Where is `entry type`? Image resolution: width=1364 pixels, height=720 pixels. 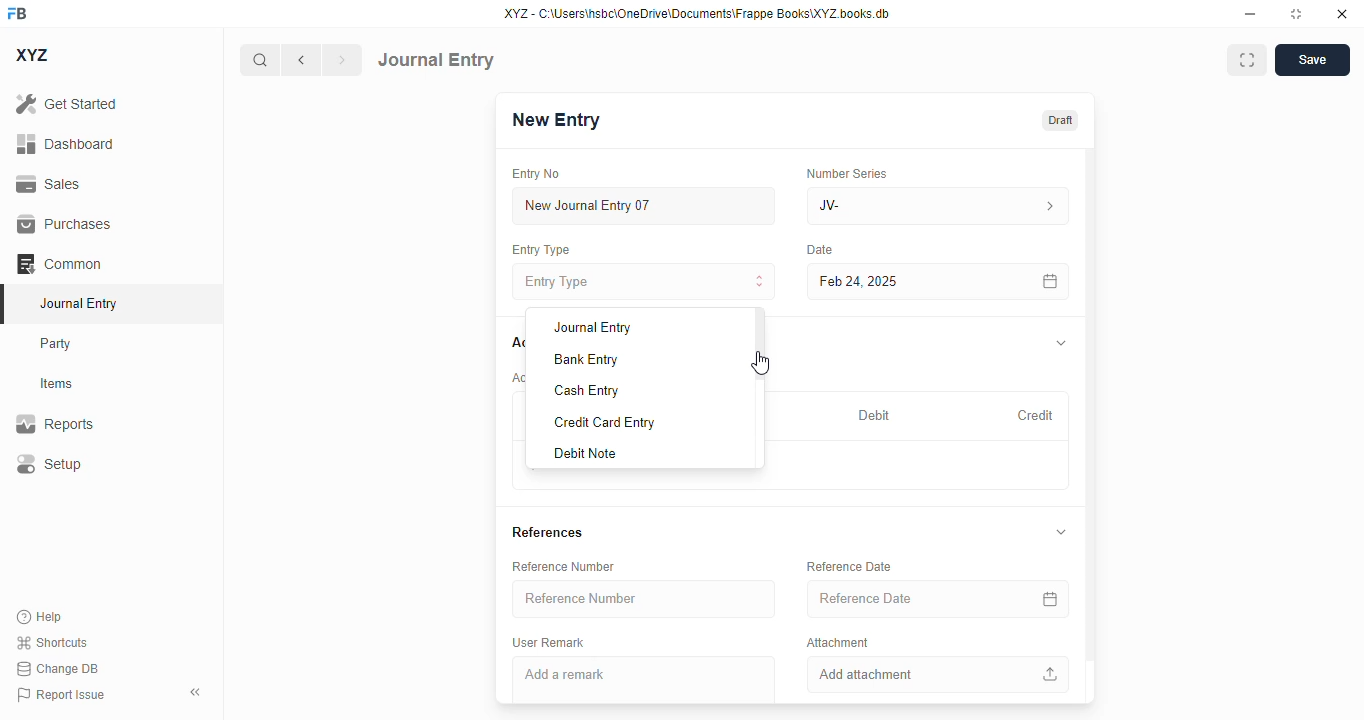
entry type is located at coordinates (643, 280).